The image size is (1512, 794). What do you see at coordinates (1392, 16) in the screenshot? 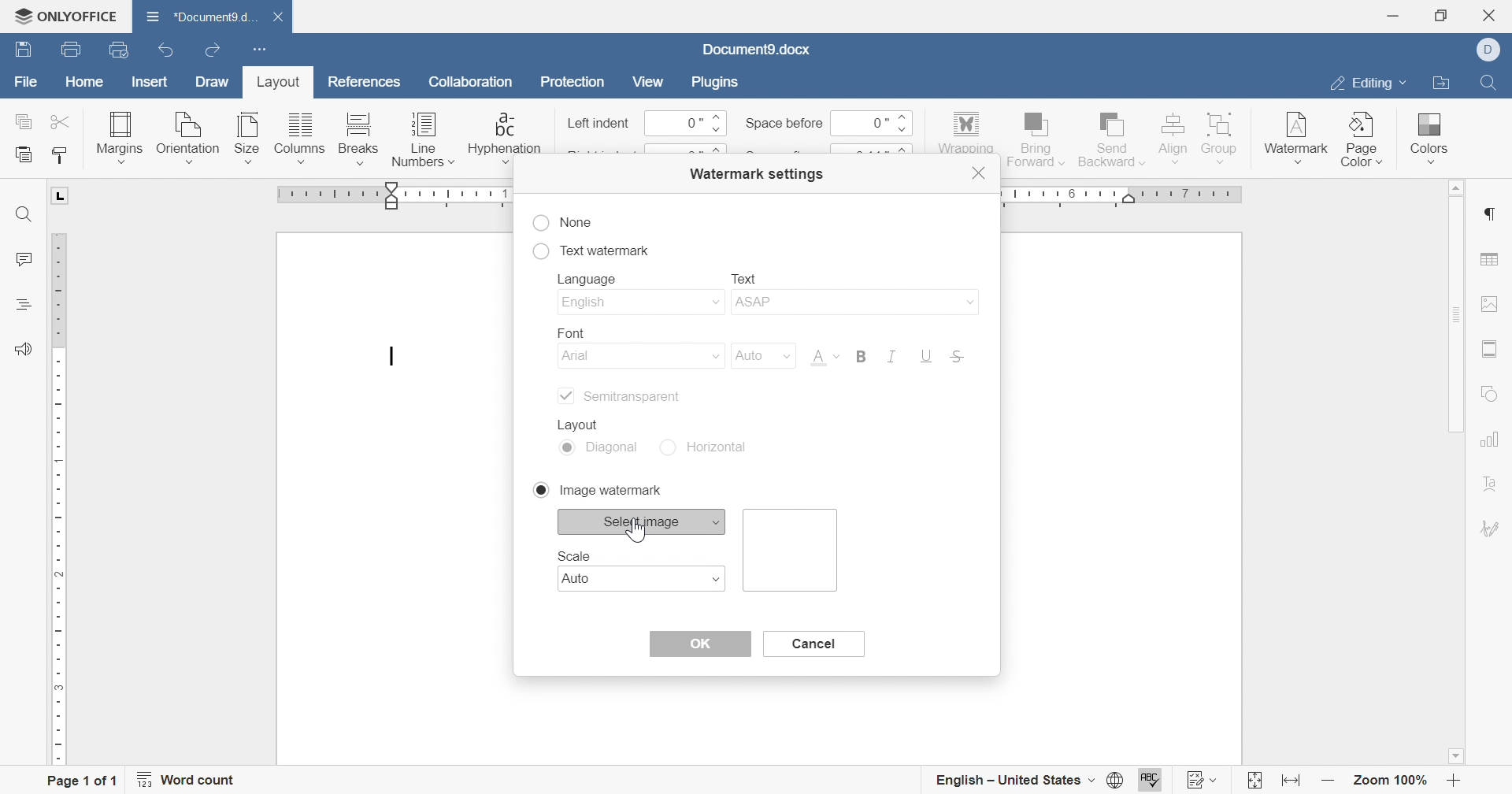
I see `minimize` at bounding box center [1392, 16].